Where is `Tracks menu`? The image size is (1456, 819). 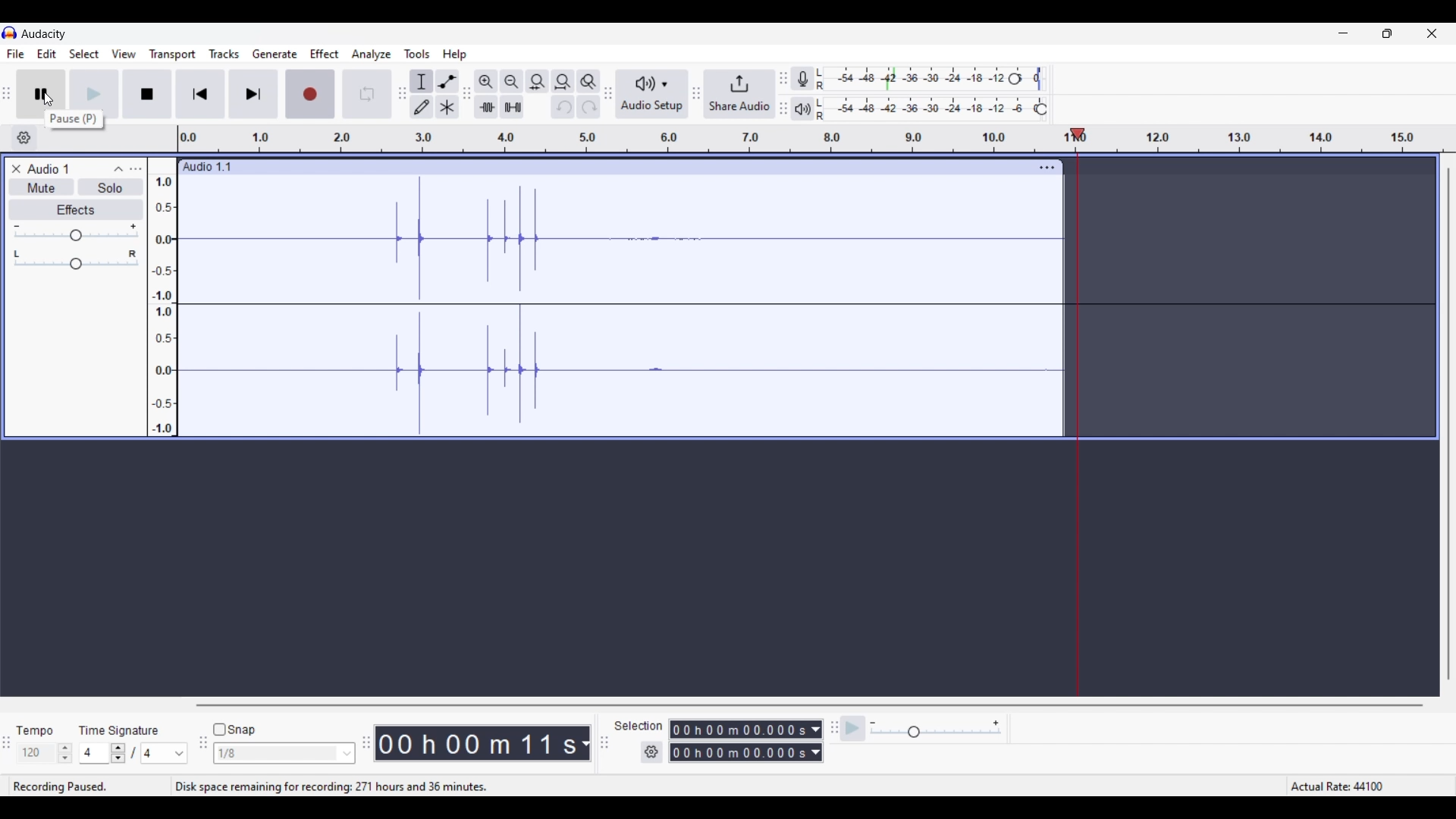
Tracks menu is located at coordinates (224, 54).